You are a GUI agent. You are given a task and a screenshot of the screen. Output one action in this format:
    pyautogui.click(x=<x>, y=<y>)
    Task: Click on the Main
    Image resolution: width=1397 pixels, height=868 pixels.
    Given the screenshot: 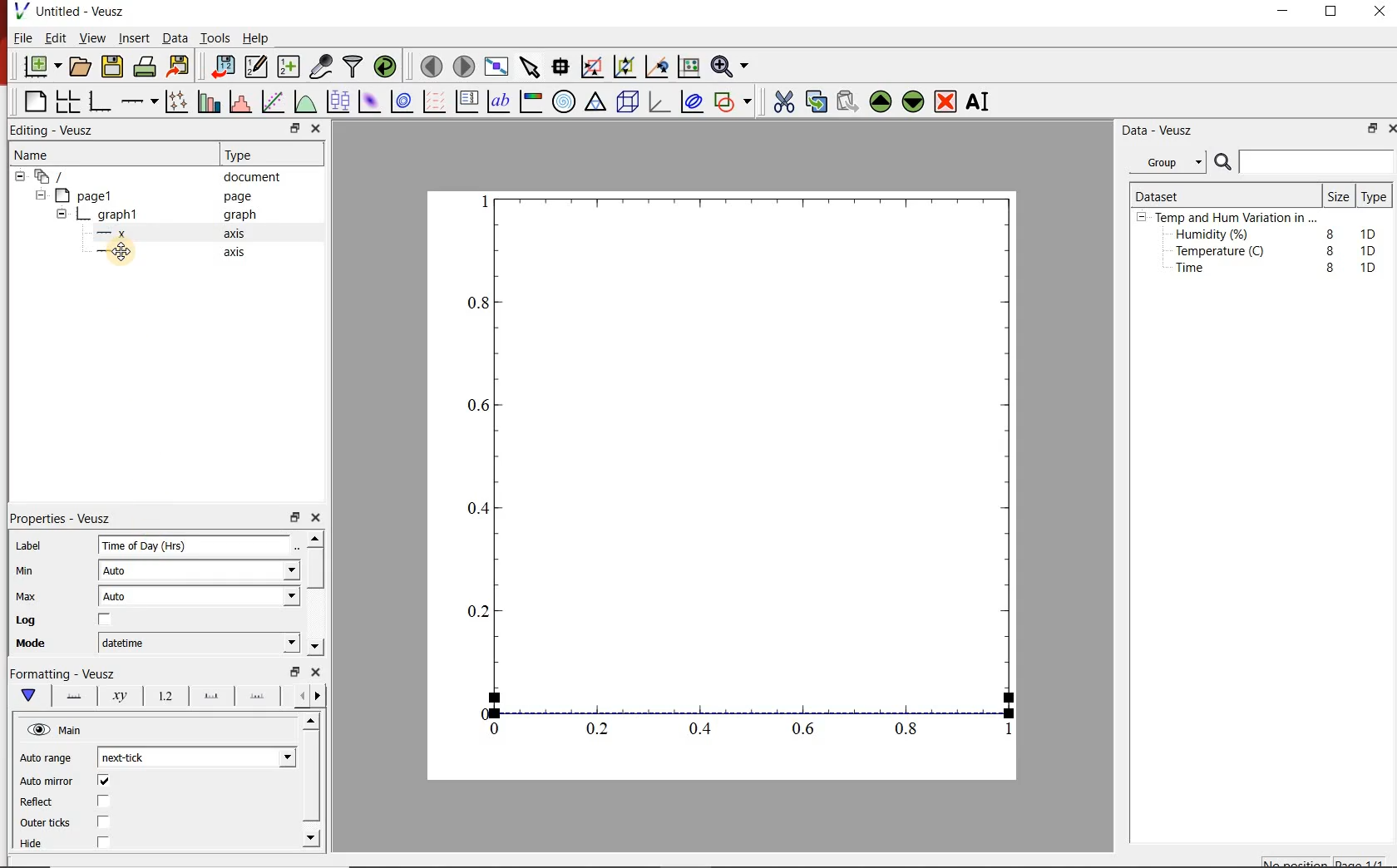 What is the action you would take?
    pyautogui.click(x=82, y=732)
    